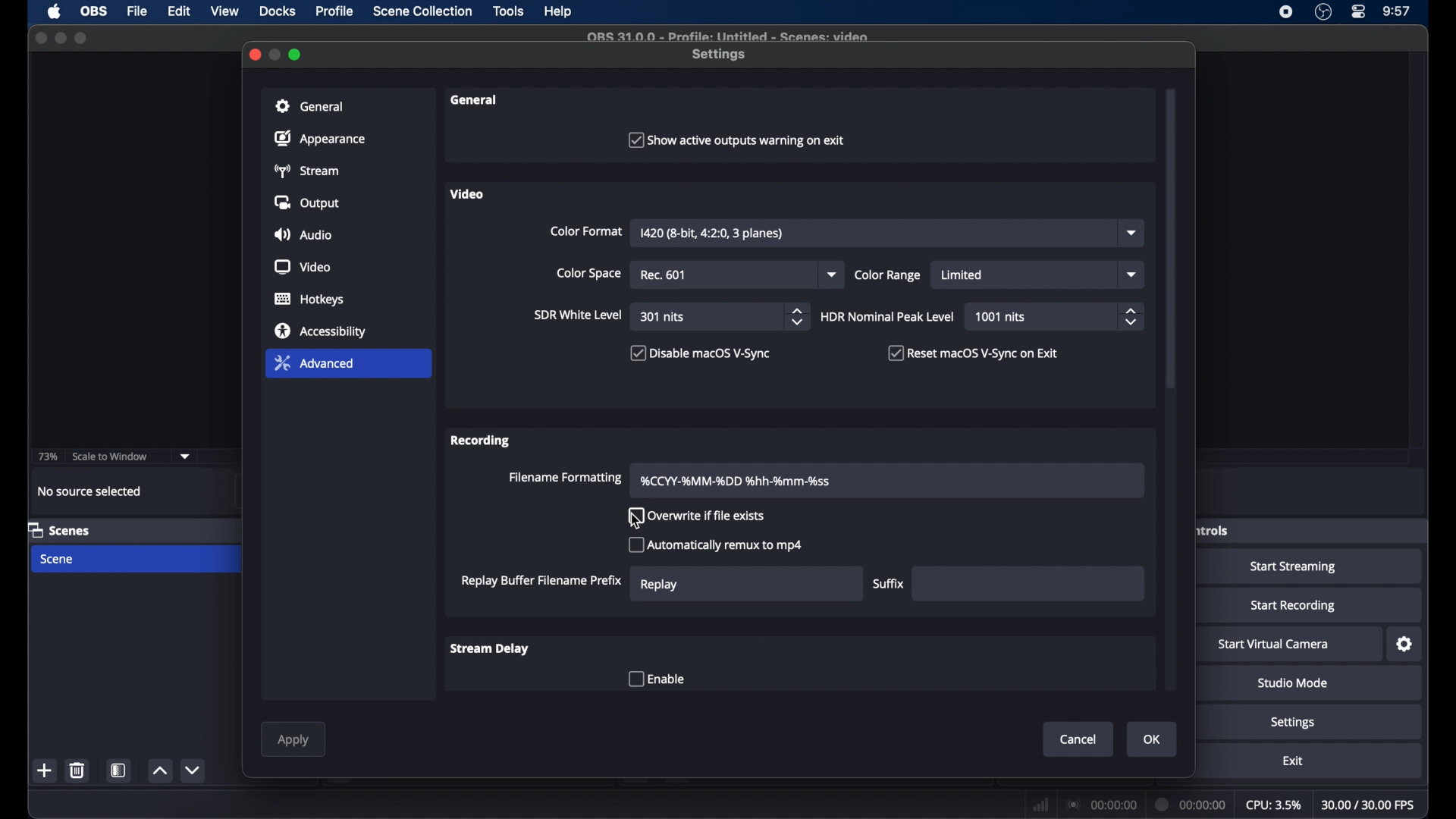 The height and width of the screenshot is (819, 1456). Describe the element at coordinates (1041, 804) in the screenshot. I see `network` at that location.